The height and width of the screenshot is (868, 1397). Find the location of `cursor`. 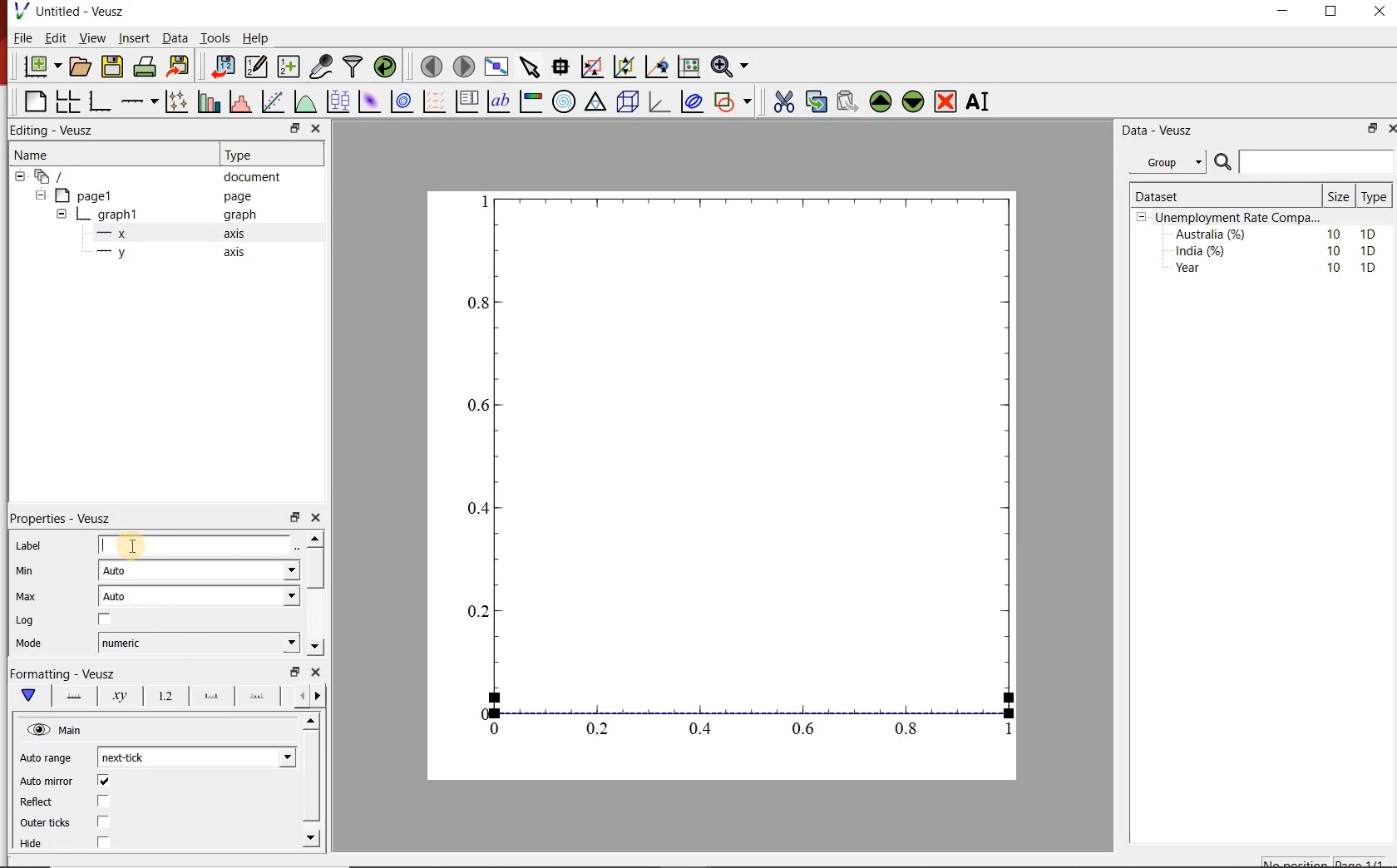

cursor is located at coordinates (135, 544).